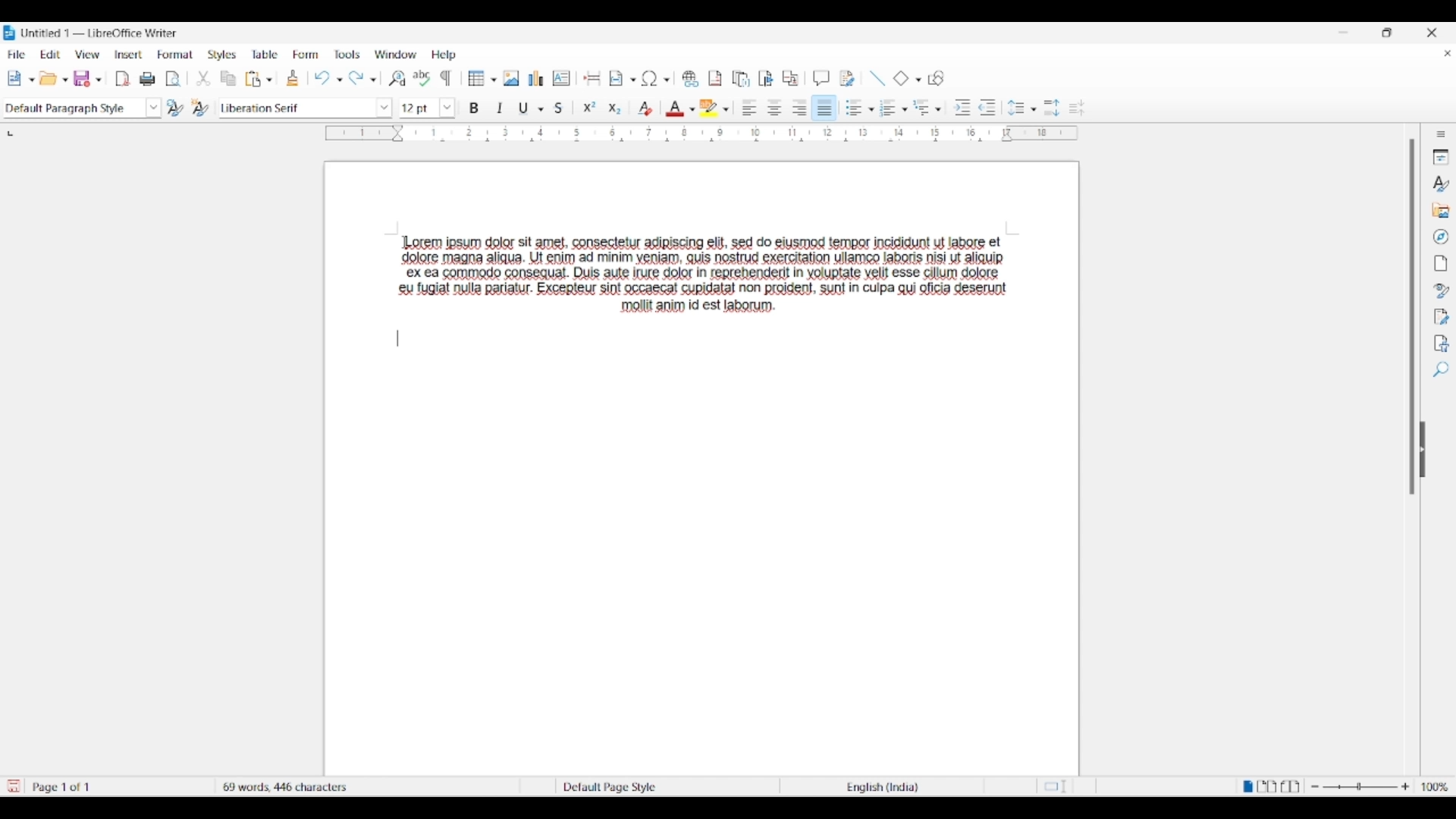 This screenshot has height=819, width=1456. What do you see at coordinates (202, 108) in the screenshot?
I see `New style from selection` at bounding box center [202, 108].